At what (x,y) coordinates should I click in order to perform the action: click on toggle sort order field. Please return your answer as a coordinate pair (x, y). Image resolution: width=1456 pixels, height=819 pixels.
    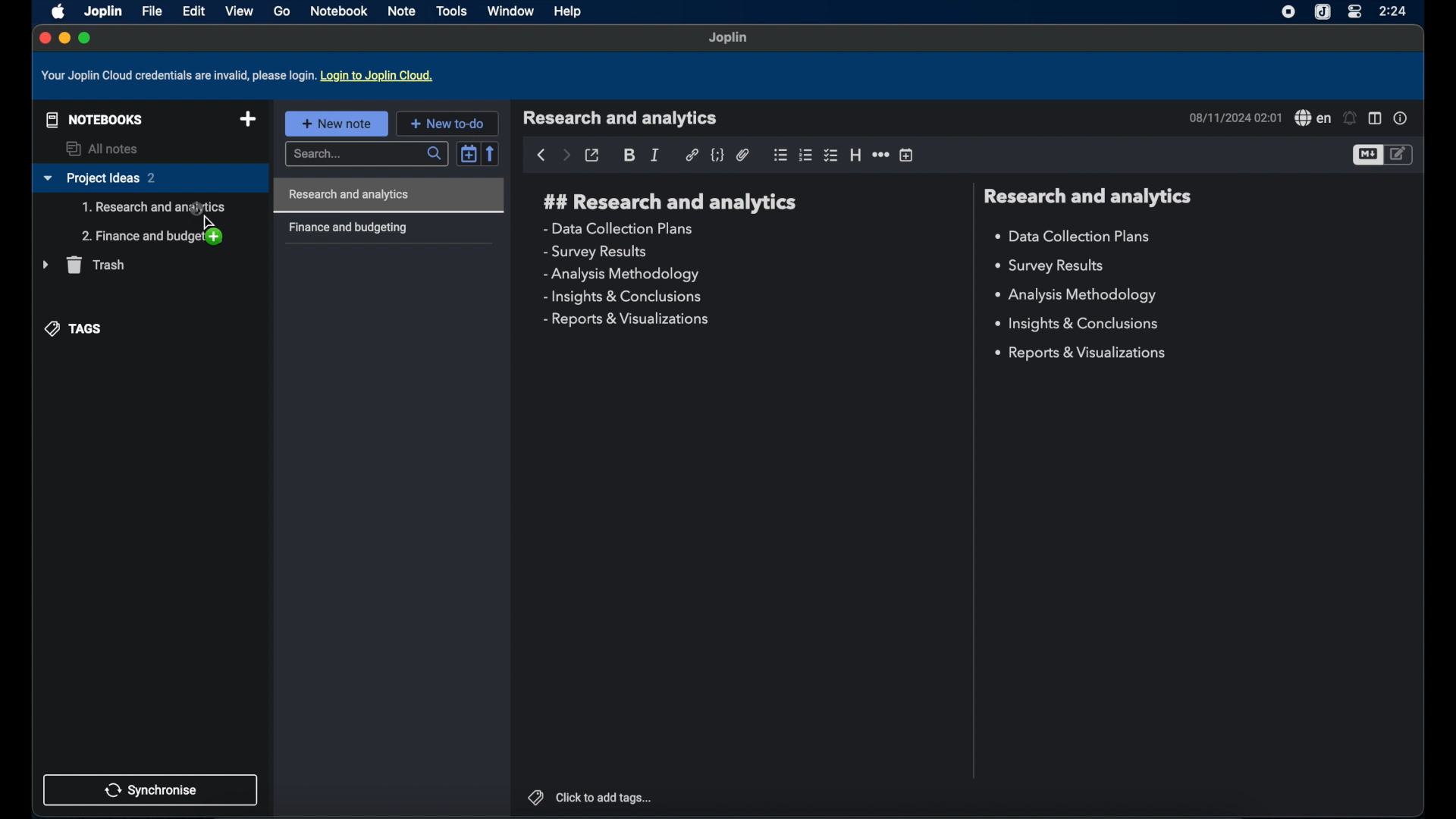
    Looking at the image, I should click on (469, 152).